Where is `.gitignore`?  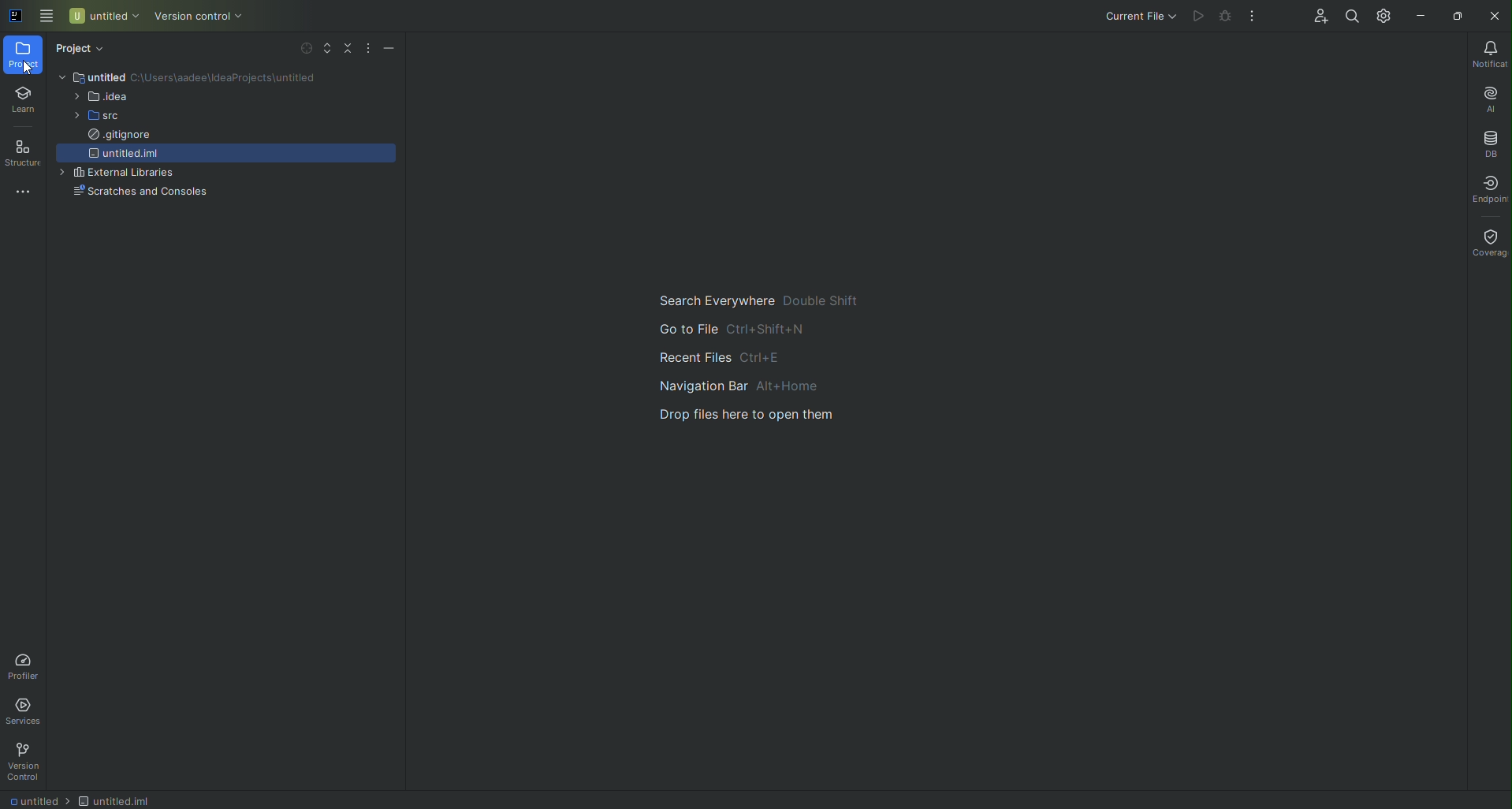
.gitignore is located at coordinates (115, 136).